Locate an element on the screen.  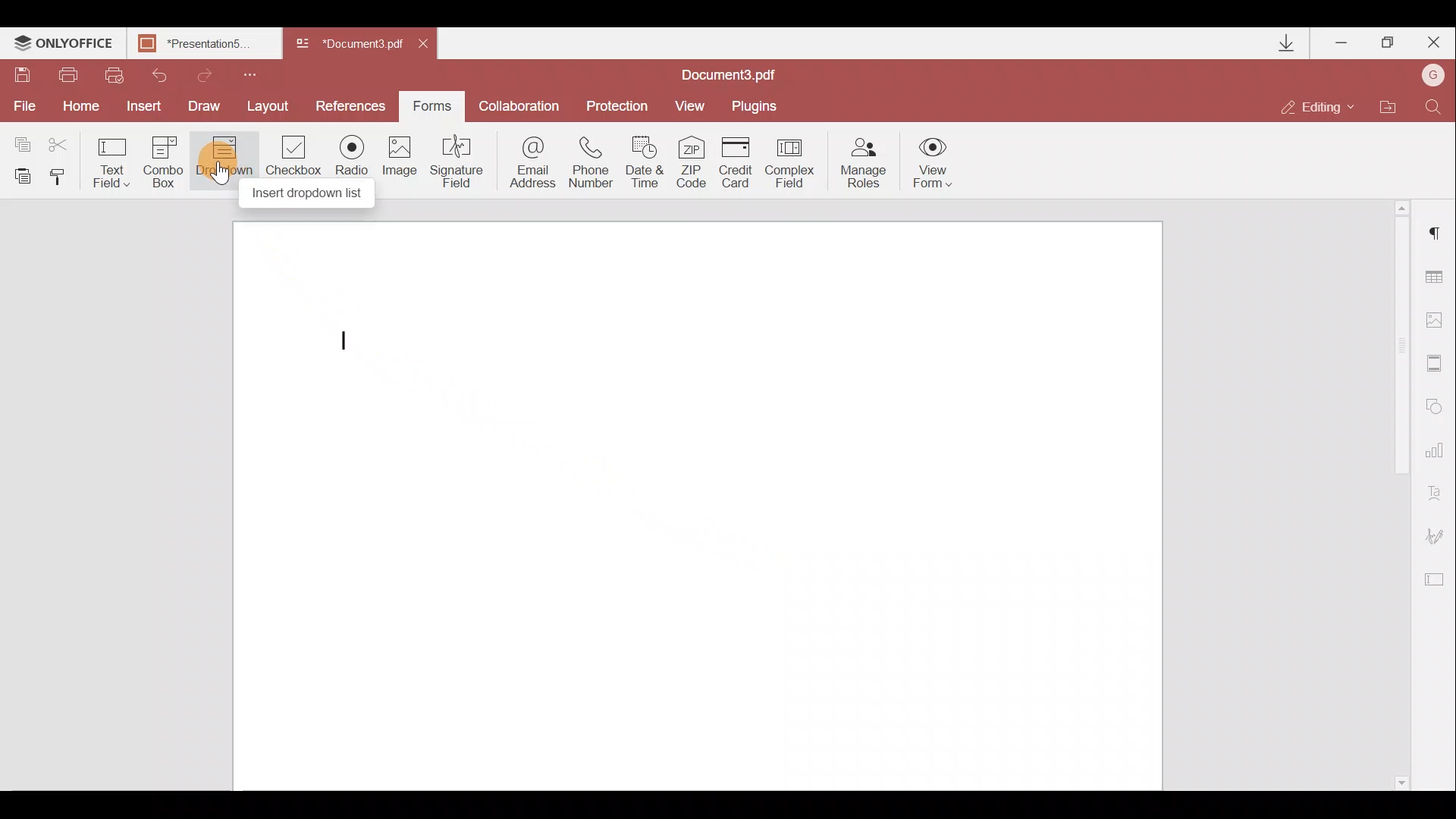
Layout is located at coordinates (272, 106).